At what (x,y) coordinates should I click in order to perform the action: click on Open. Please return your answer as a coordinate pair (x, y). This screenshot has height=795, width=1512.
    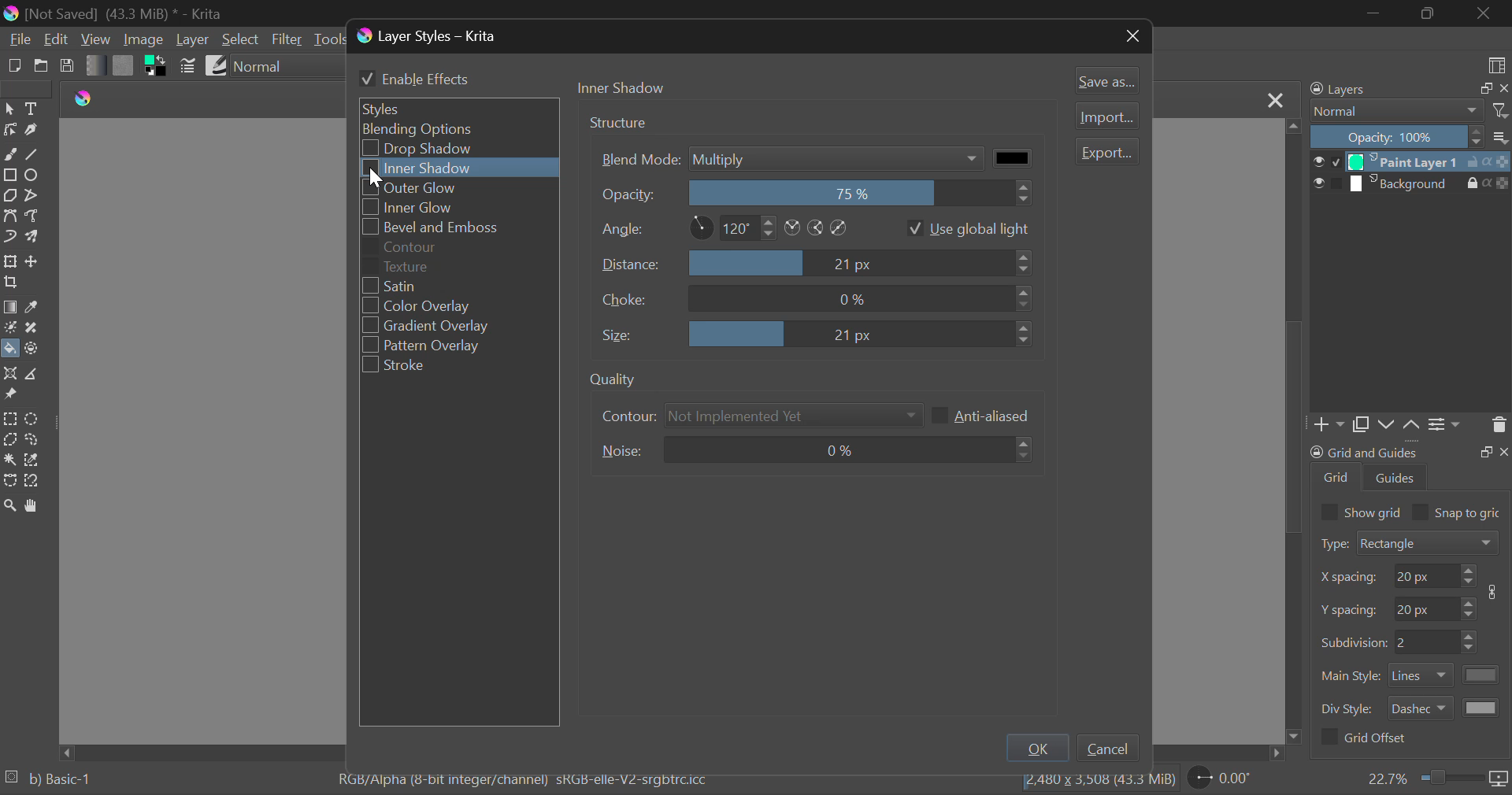
    Looking at the image, I should click on (43, 65).